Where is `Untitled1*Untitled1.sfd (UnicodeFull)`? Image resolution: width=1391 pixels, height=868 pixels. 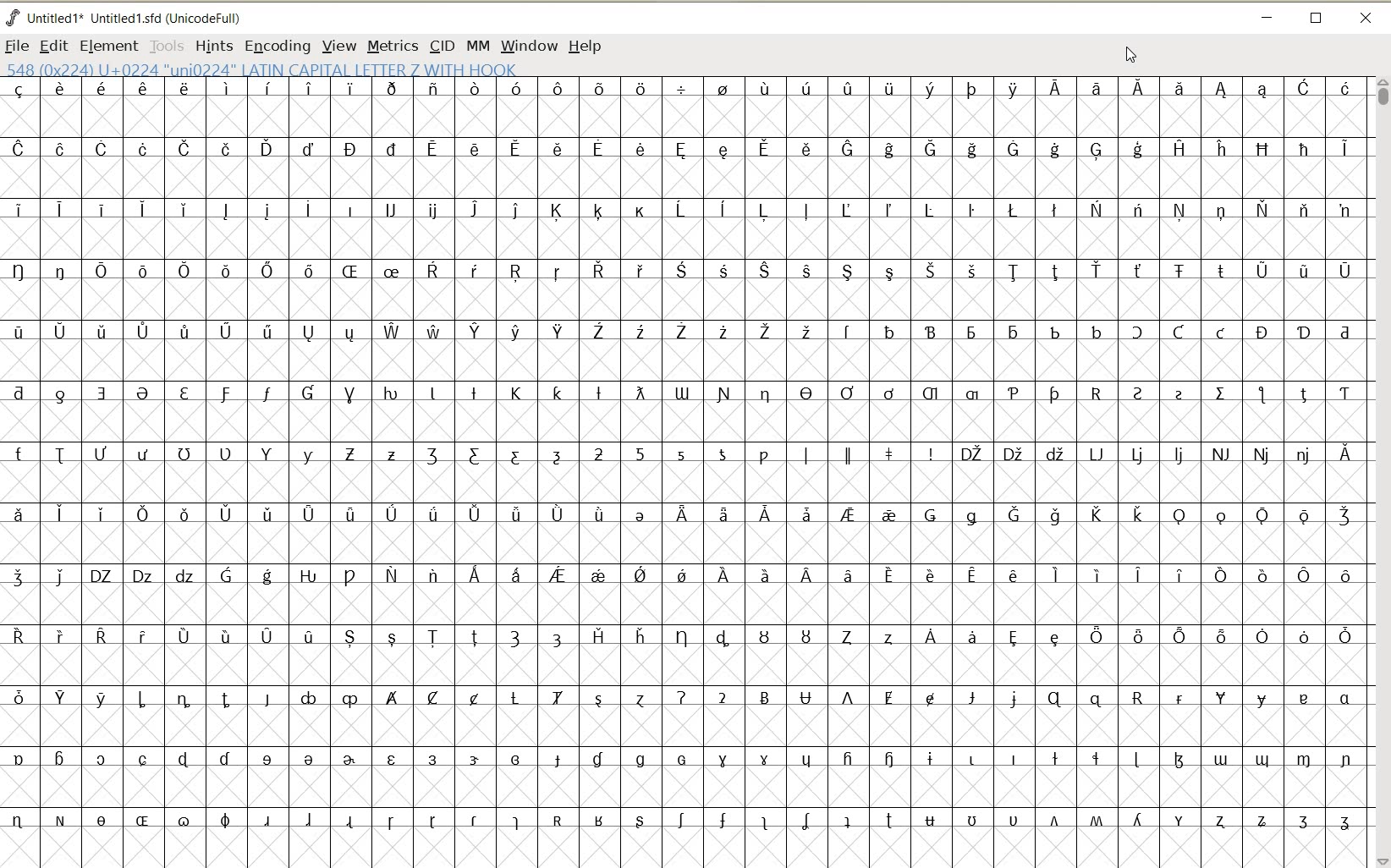
Untitled1*Untitled1.sfd (UnicodeFull) is located at coordinates (138, 18).